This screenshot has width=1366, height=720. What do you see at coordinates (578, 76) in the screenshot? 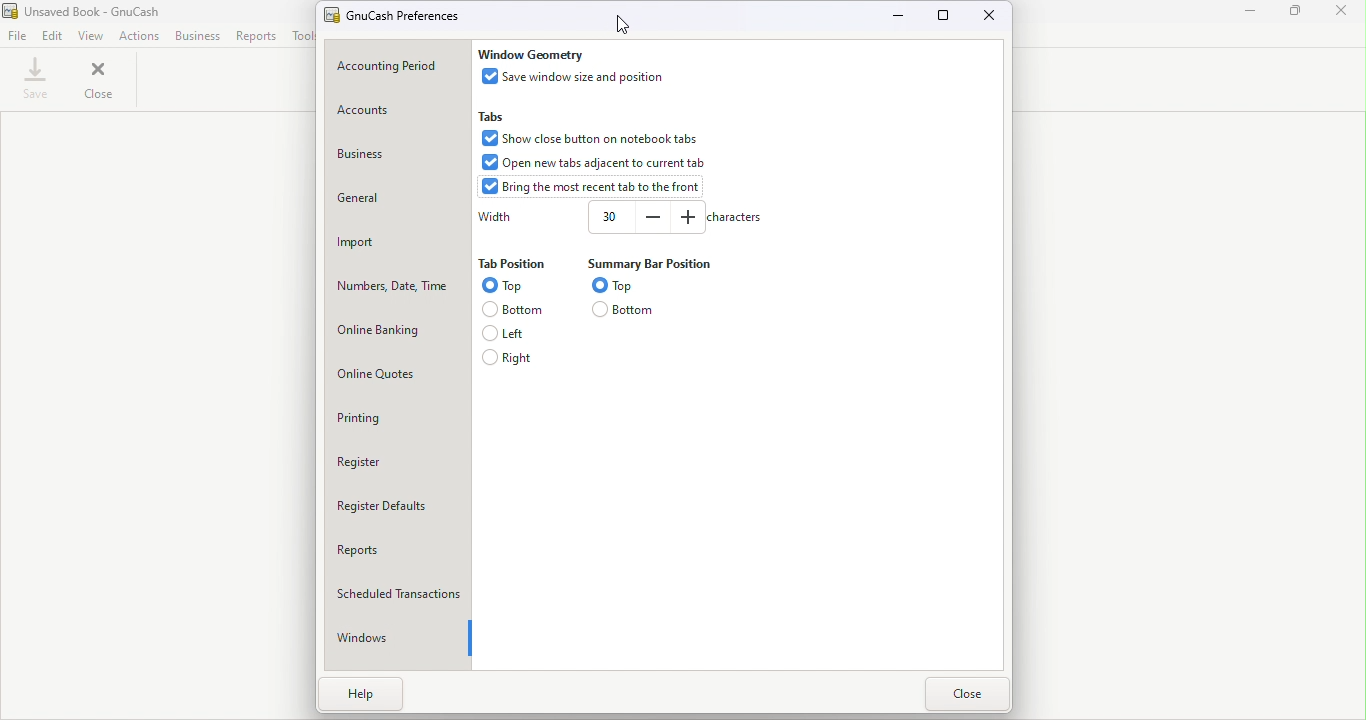
I see `Save window size and position` at bounding box center [578, 76].